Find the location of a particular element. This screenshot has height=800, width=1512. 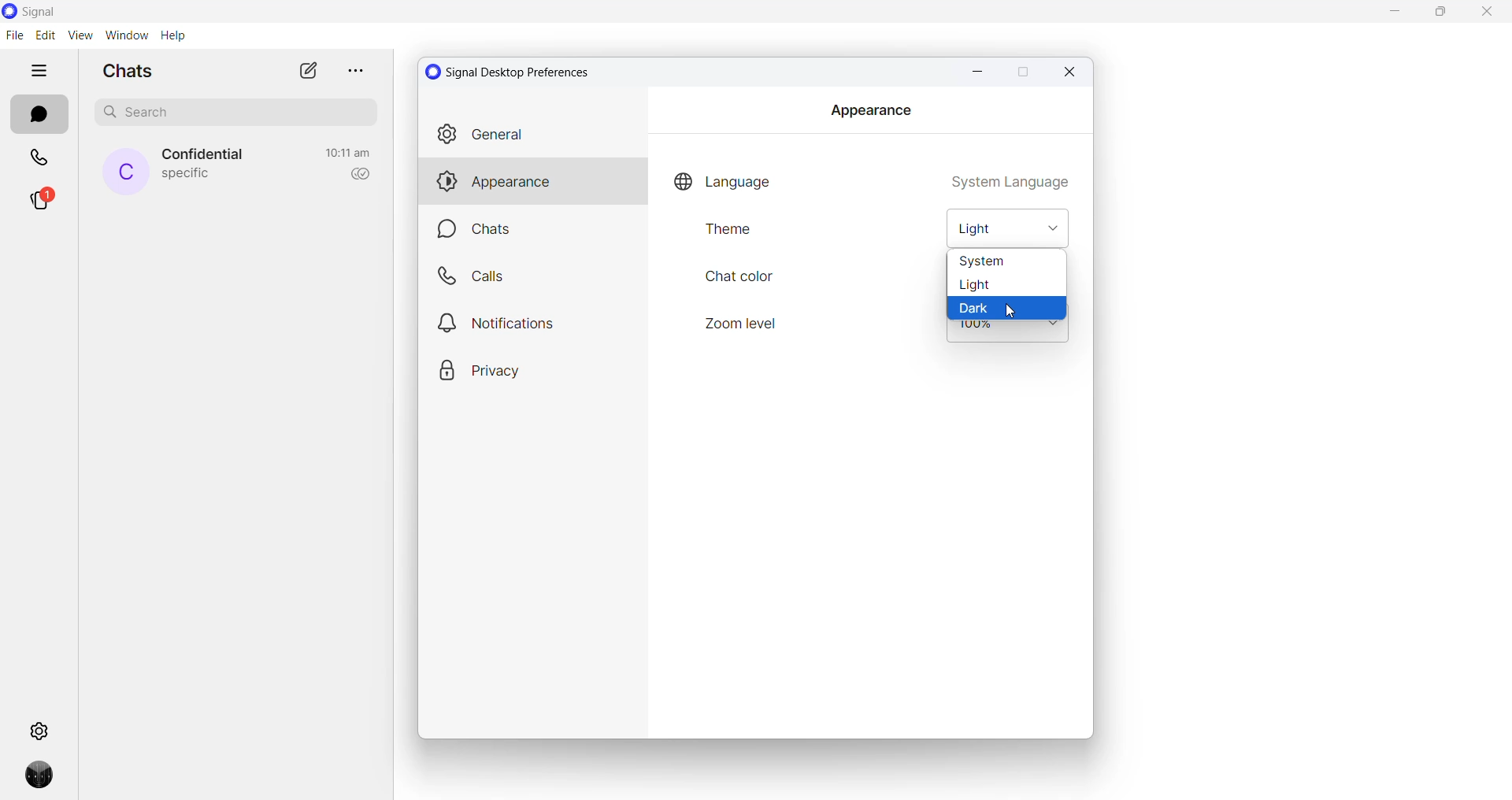

file is located at coordinates (14, 35).